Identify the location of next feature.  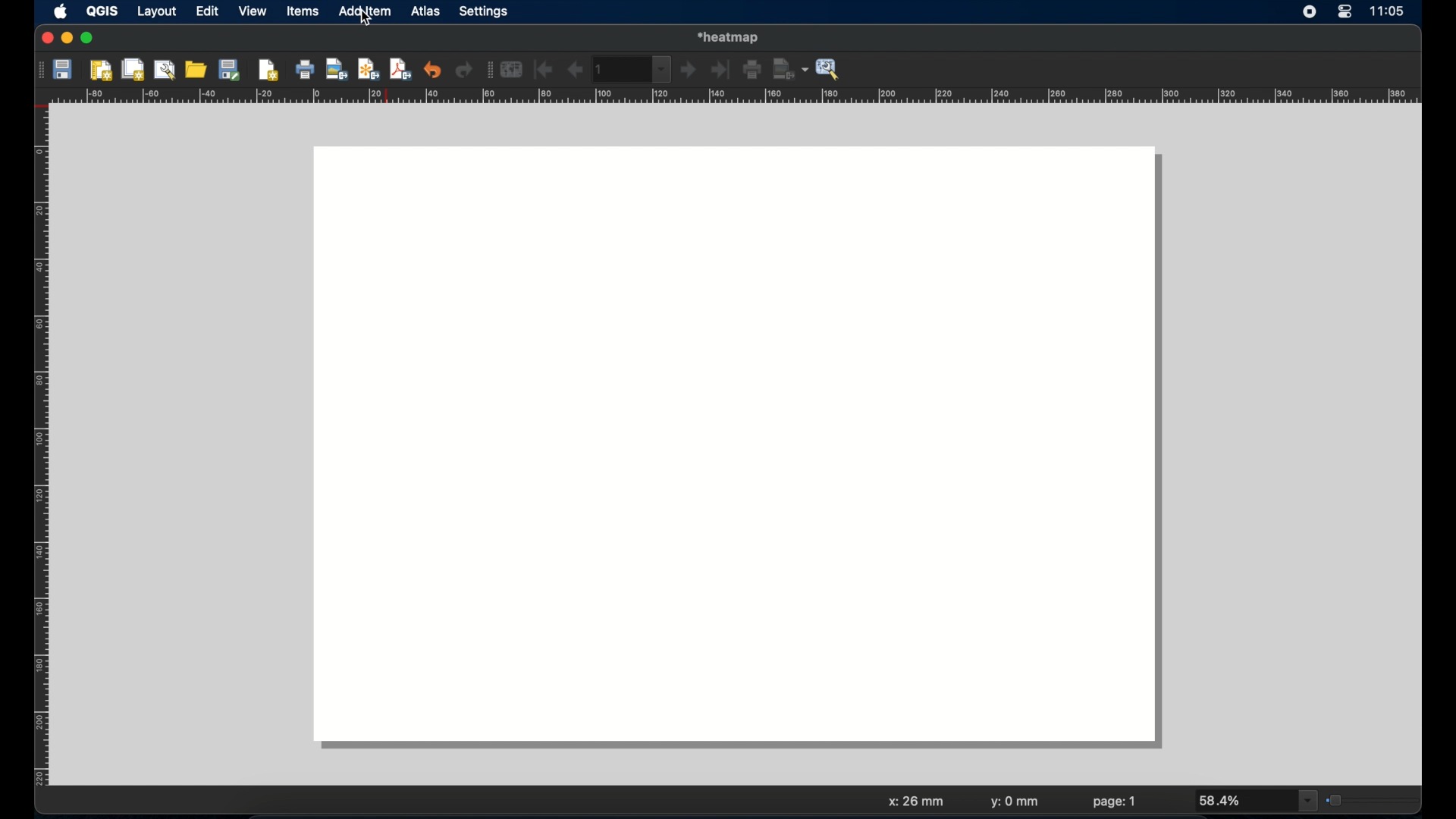
(689, 71).